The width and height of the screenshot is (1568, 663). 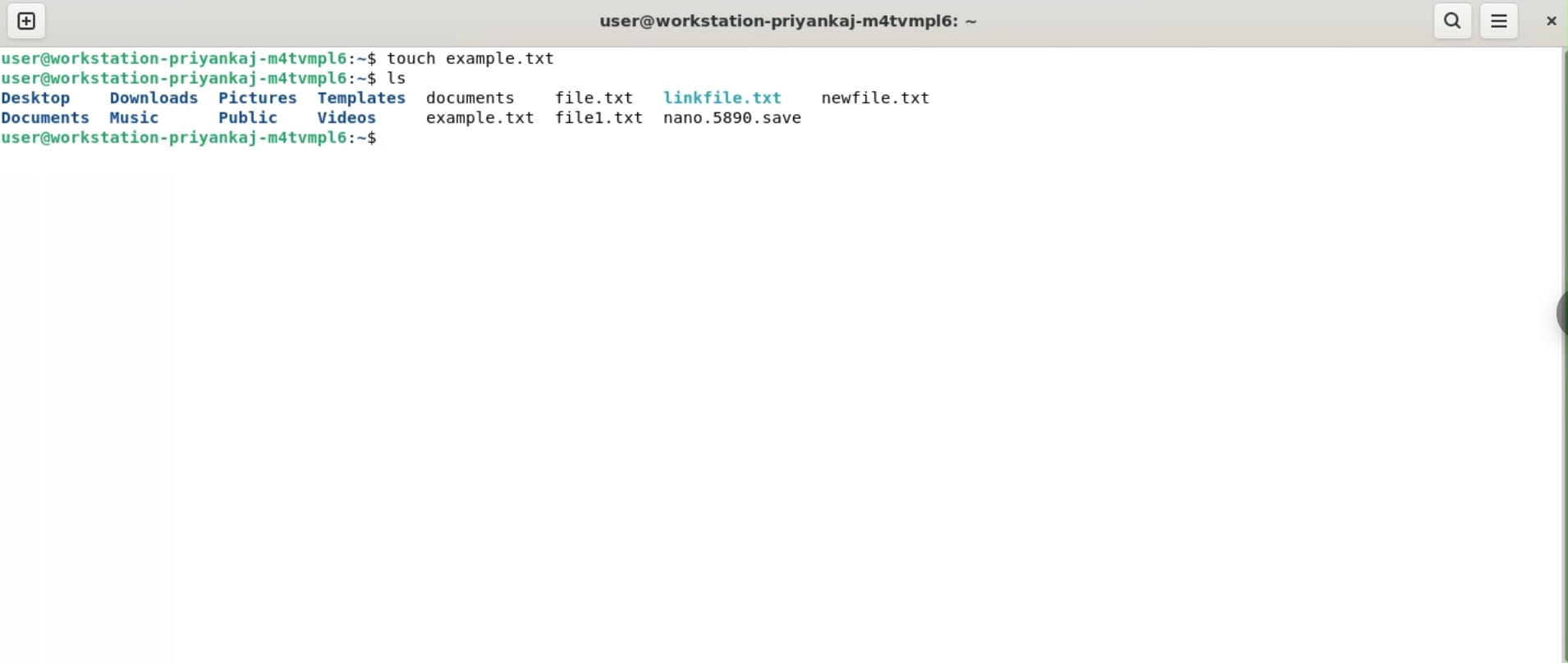 I want to click on nano, so click(x=735, y=119).